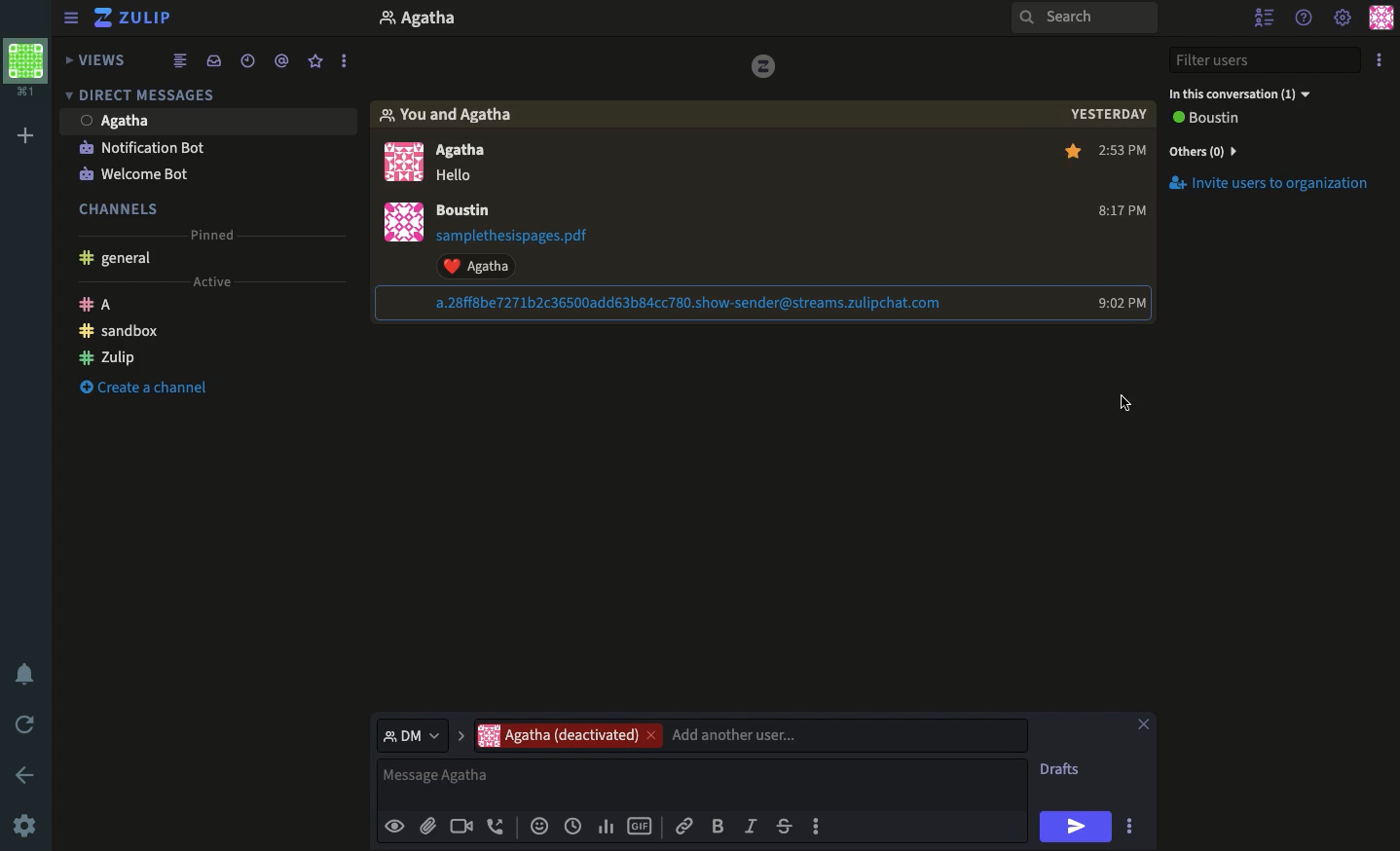  Describe the element at coordinates (122, 333) in the screenshot. I see `Sandbox` at that location.